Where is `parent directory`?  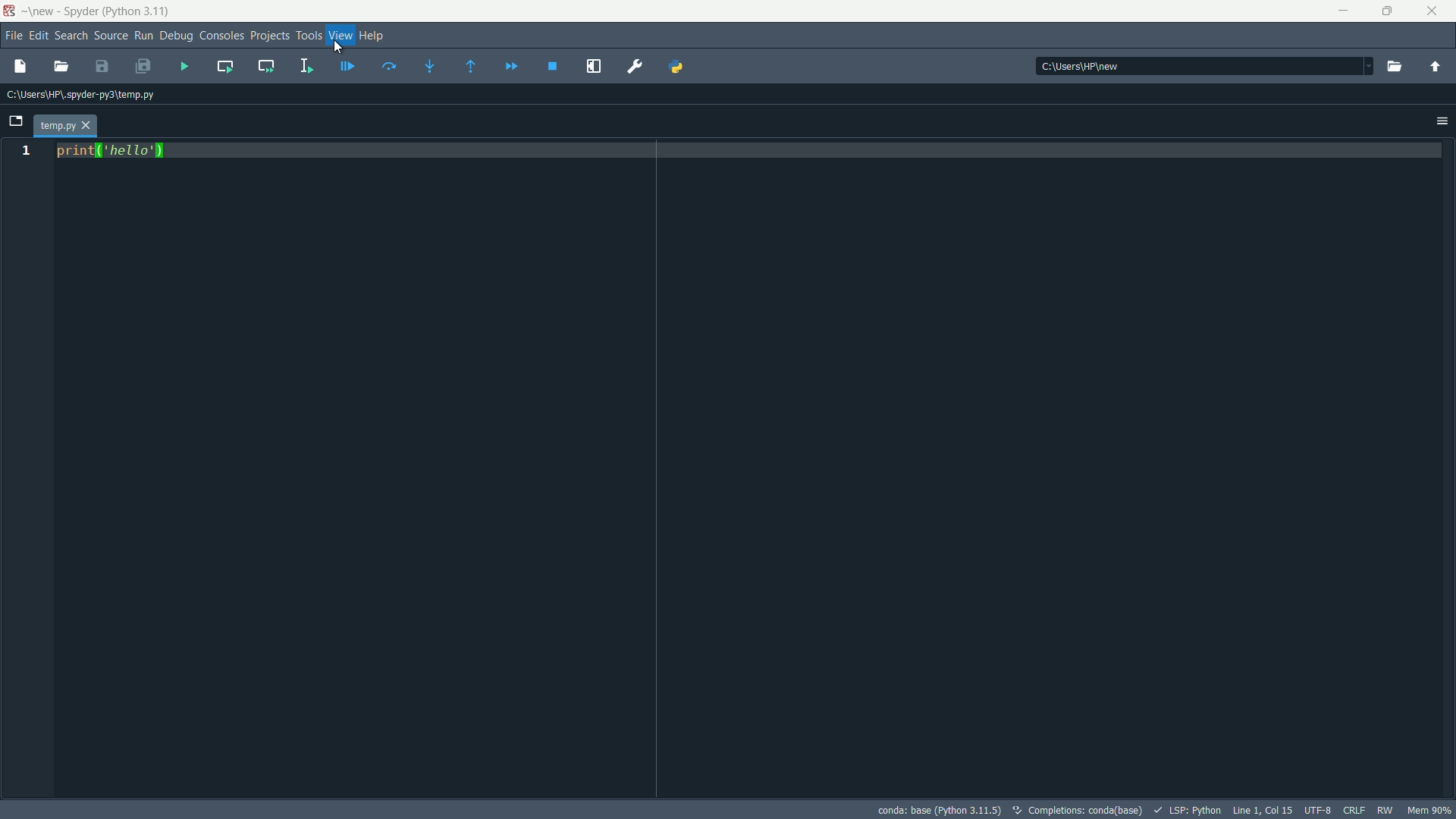 parent directory is located at coordinates (1436, 67).